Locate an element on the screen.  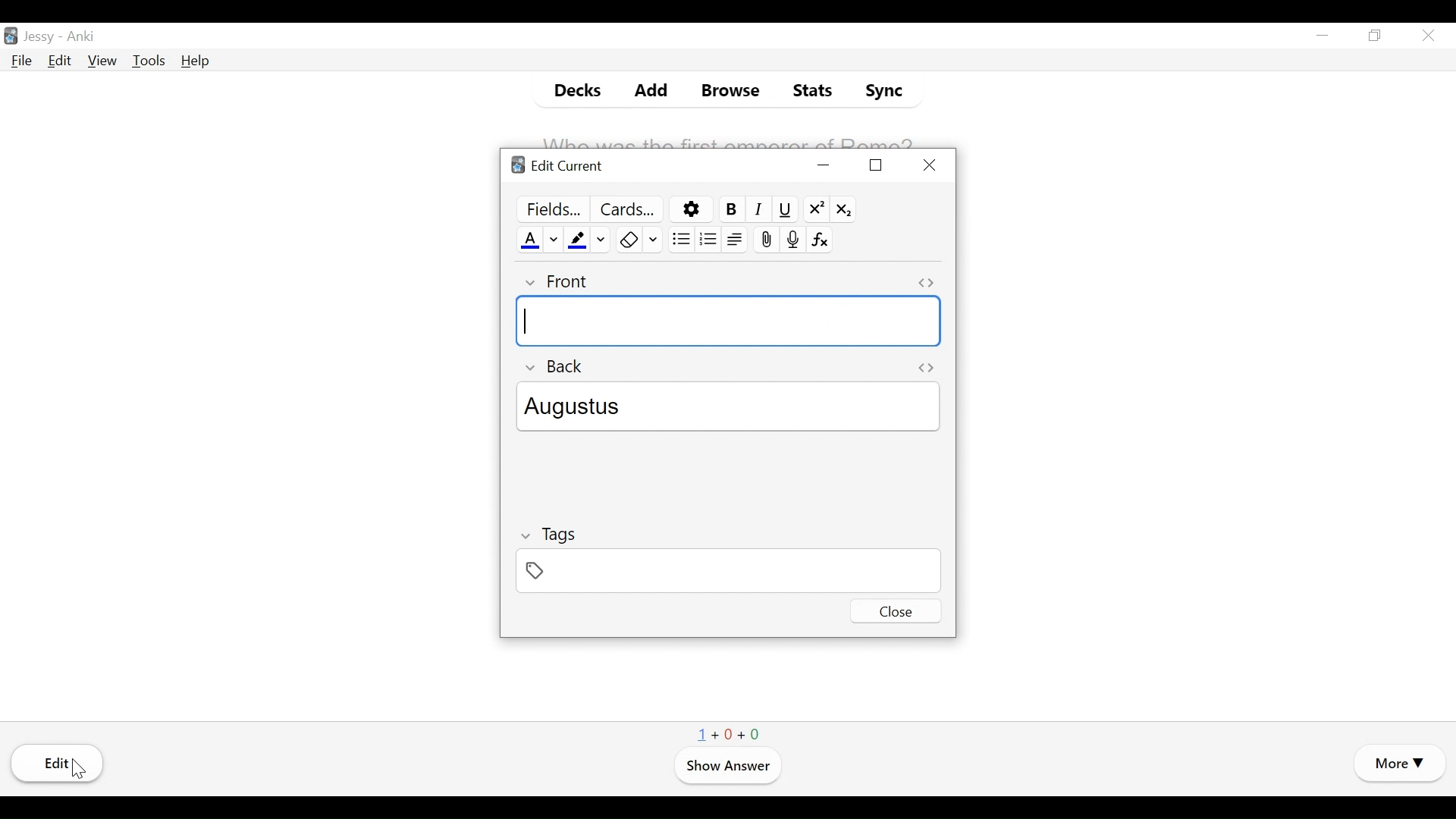
Equations is located at coordinates (821, 240).